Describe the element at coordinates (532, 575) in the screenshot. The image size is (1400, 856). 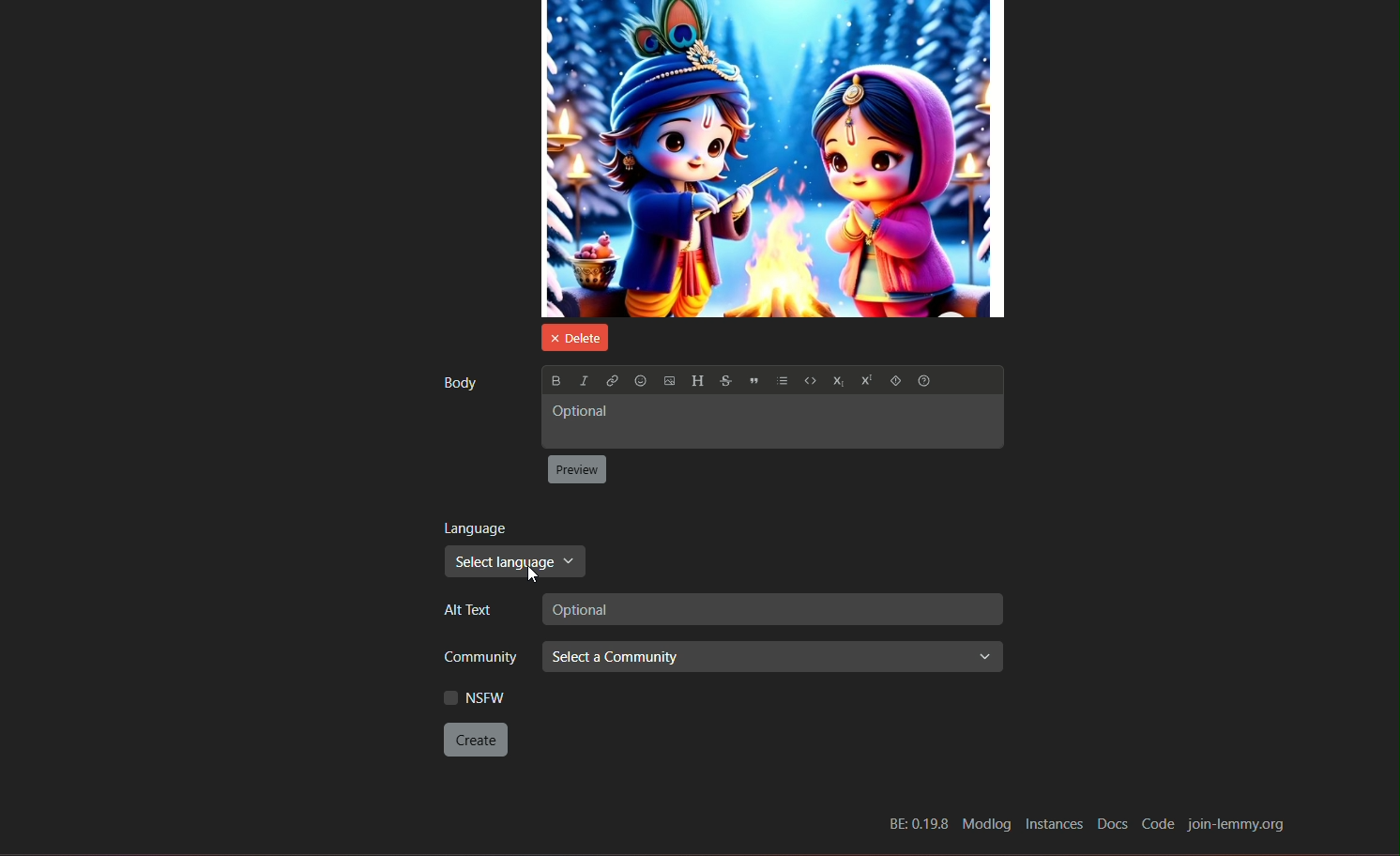
I see `Cursor` at that location.